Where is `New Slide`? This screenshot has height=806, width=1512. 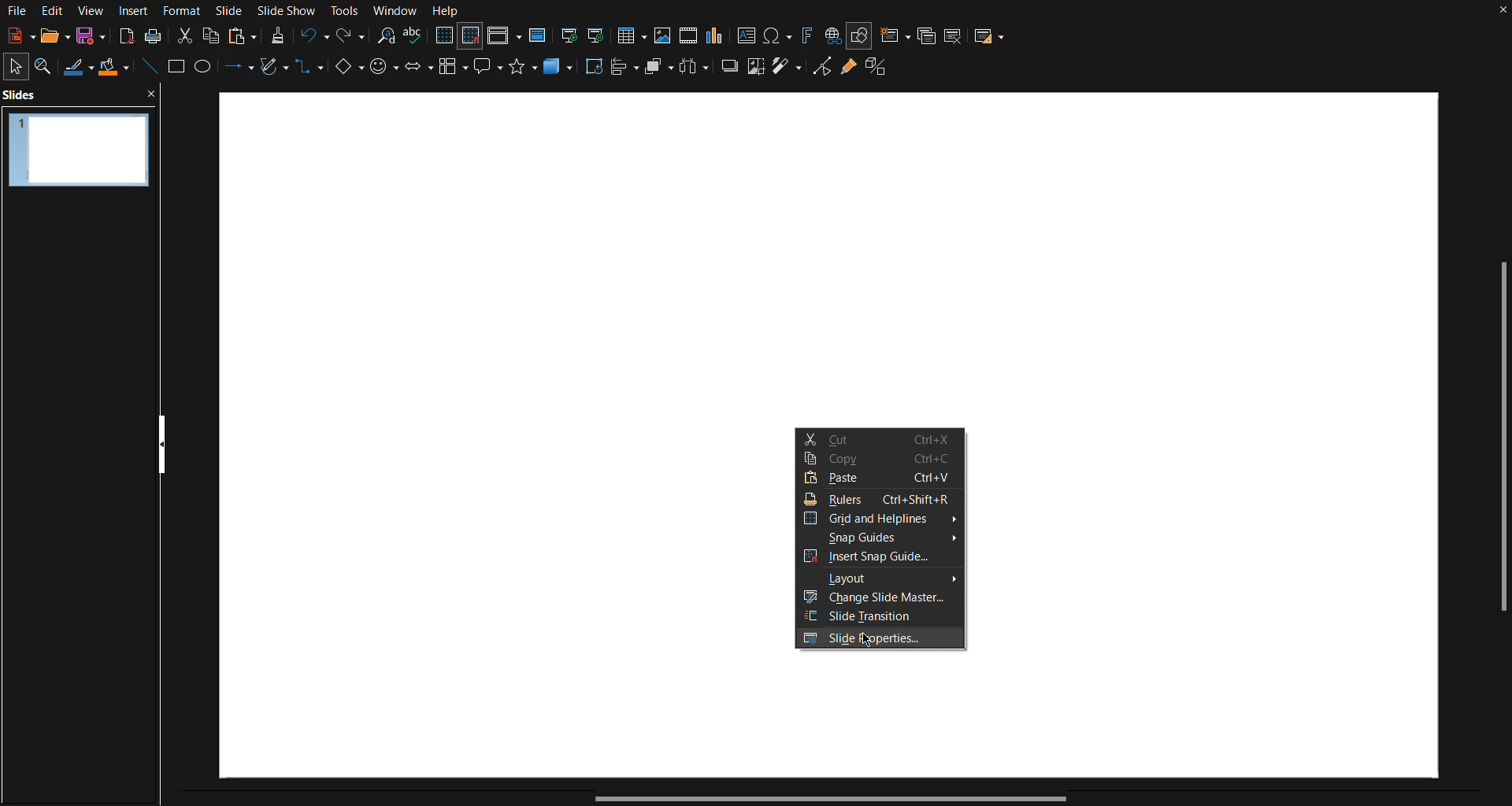 New Slide is located at coordinates (894, 34).